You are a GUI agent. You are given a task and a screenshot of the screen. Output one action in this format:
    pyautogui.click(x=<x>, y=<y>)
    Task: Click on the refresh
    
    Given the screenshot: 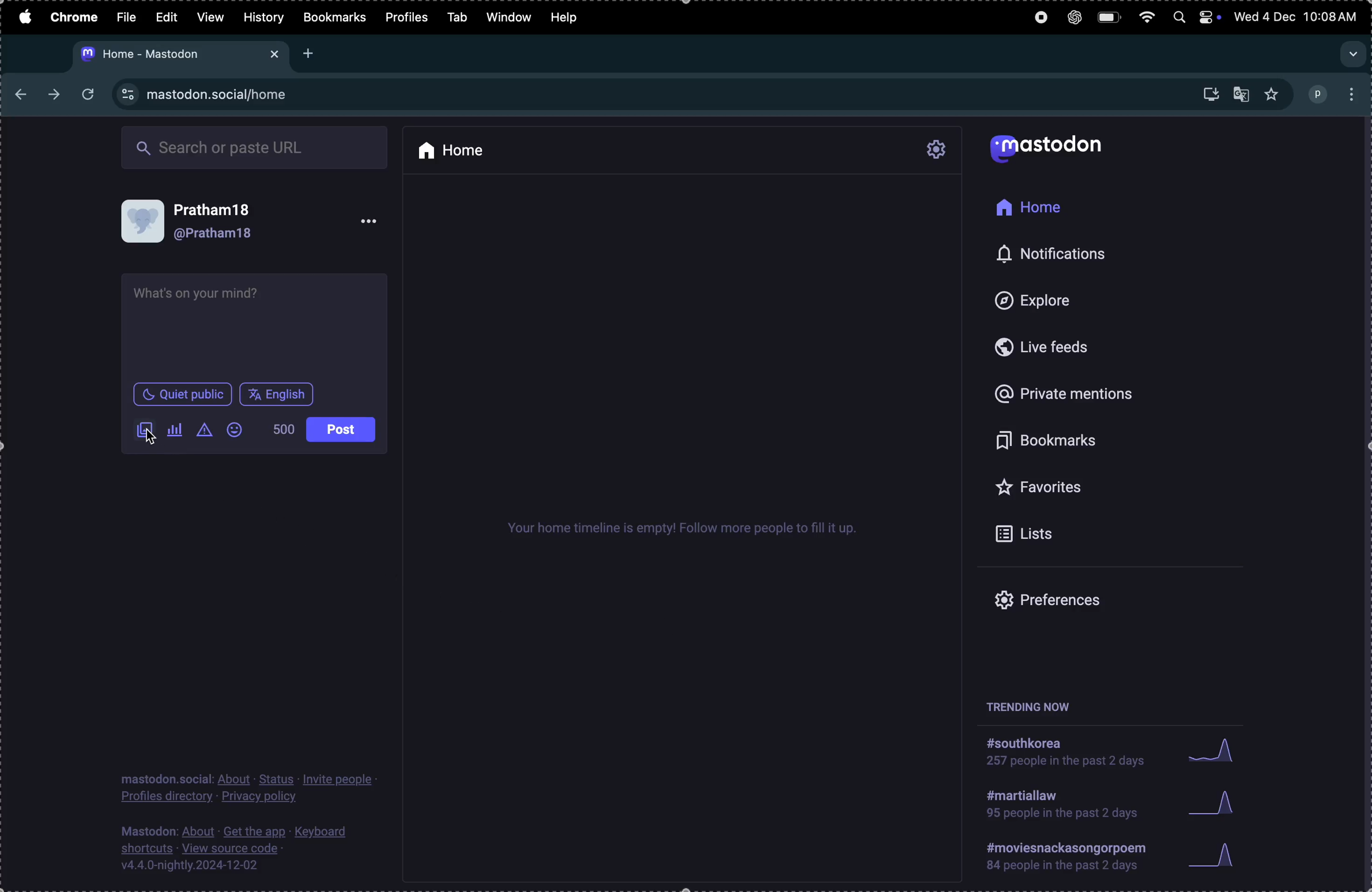 What is the action you would take?
    pyautogui.click(x=84, y=95)
    